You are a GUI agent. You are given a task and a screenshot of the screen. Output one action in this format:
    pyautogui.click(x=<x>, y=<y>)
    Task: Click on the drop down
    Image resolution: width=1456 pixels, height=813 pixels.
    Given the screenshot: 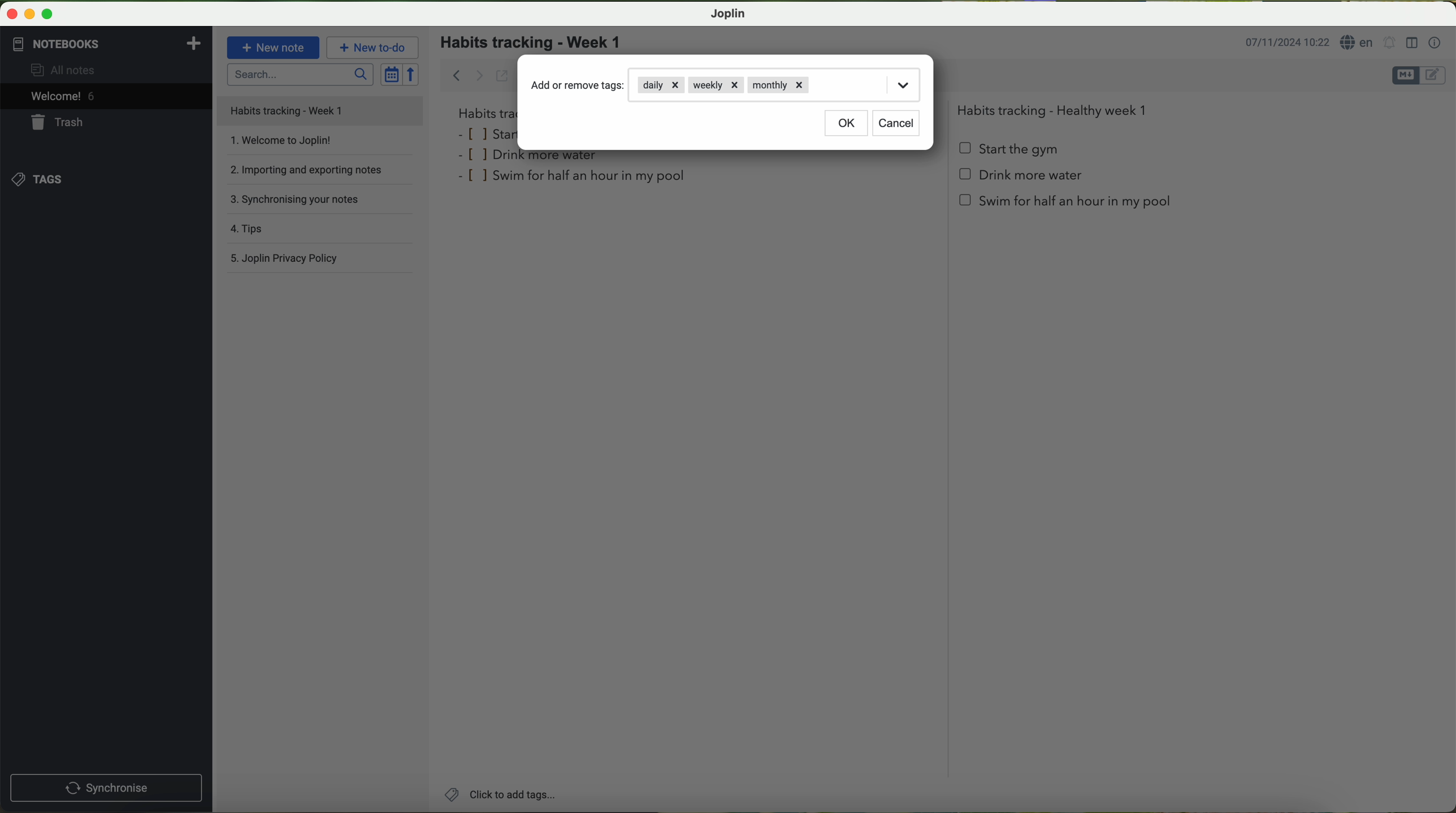 What is the action you would take?
    pyautogui.click(x=903, y=84)
    